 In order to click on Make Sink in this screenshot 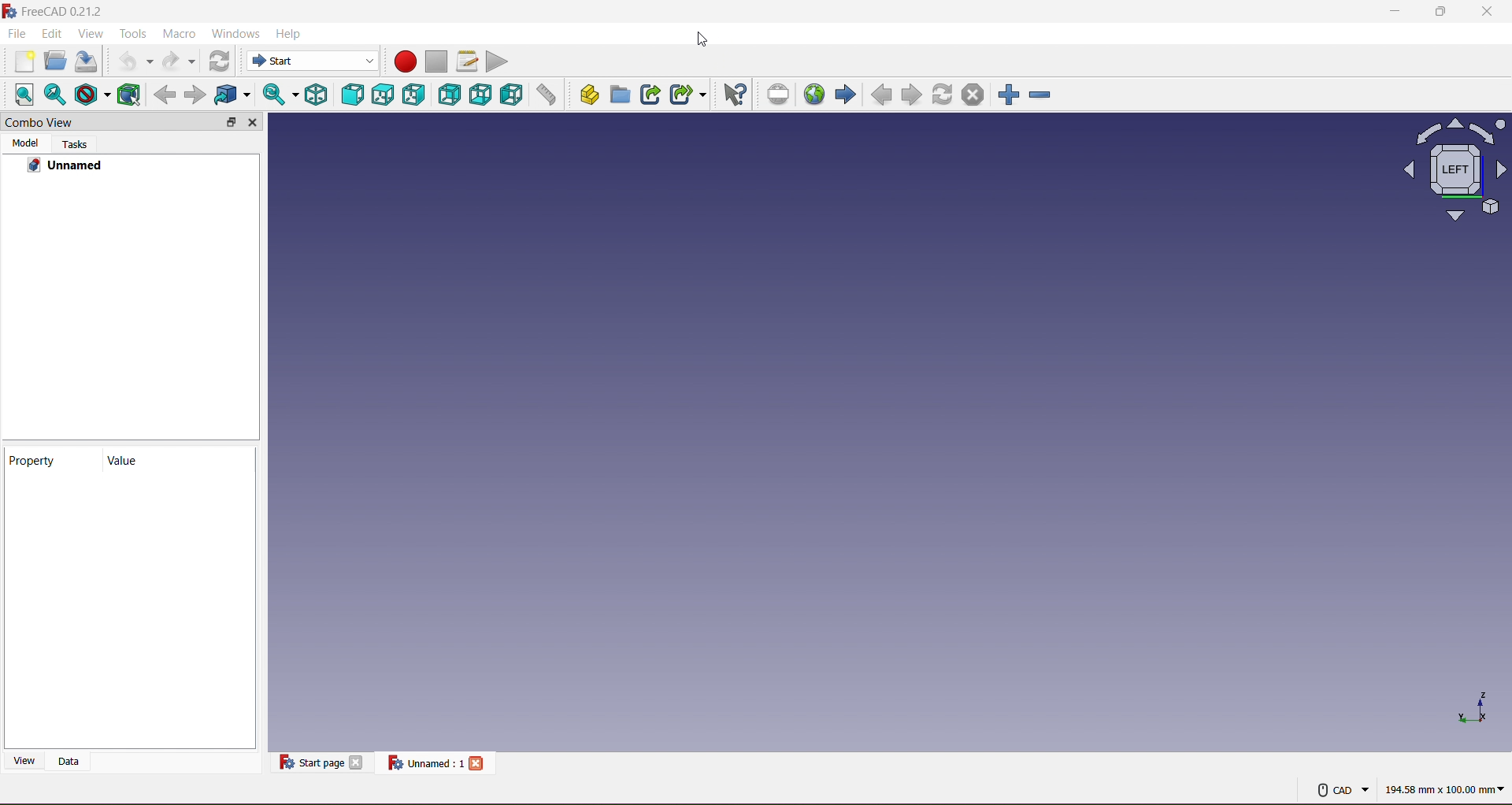, I will do `click(650, 93)`.